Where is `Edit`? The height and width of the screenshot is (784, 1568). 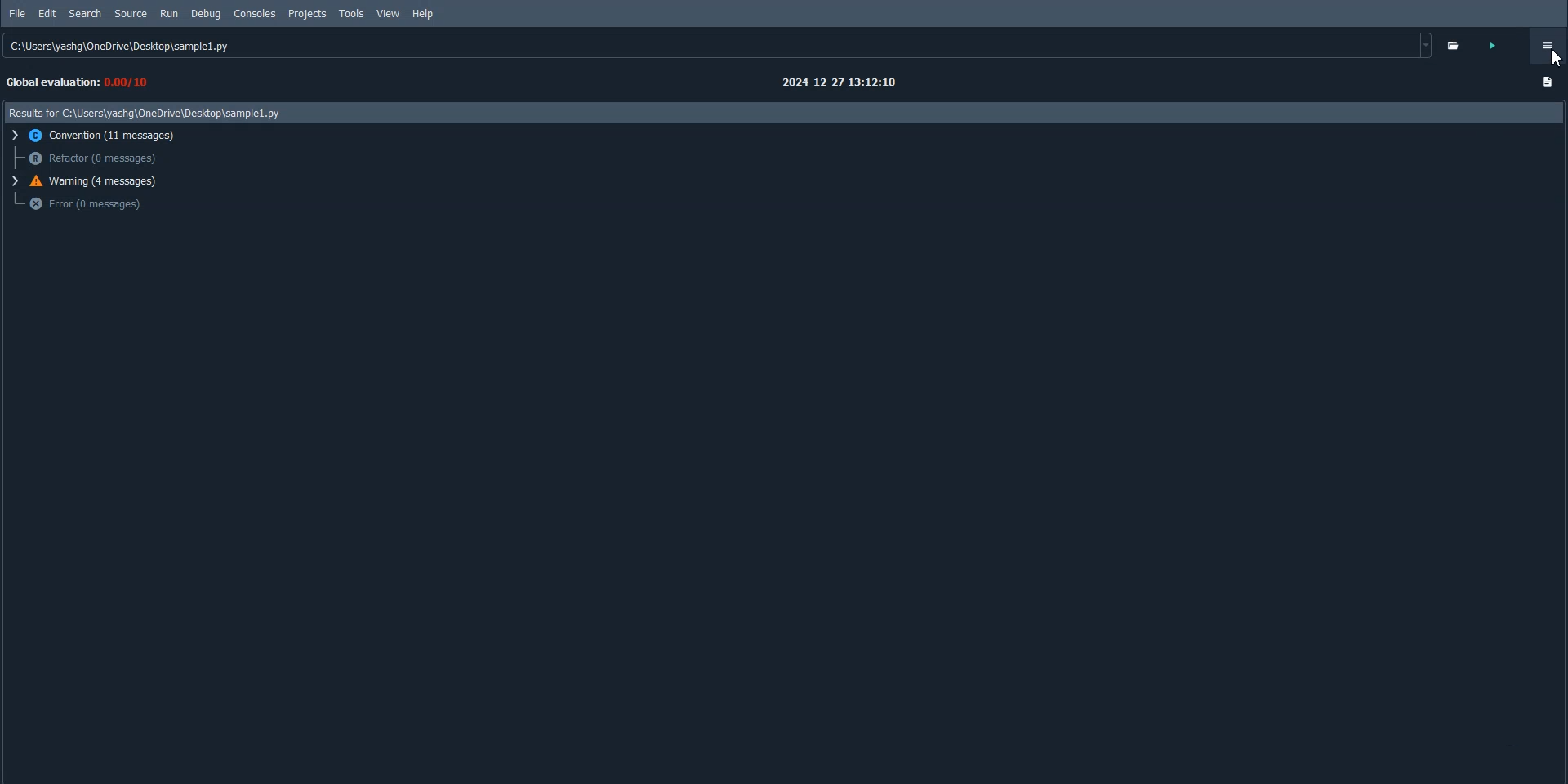 Edit is located at coordinates (47, 13).